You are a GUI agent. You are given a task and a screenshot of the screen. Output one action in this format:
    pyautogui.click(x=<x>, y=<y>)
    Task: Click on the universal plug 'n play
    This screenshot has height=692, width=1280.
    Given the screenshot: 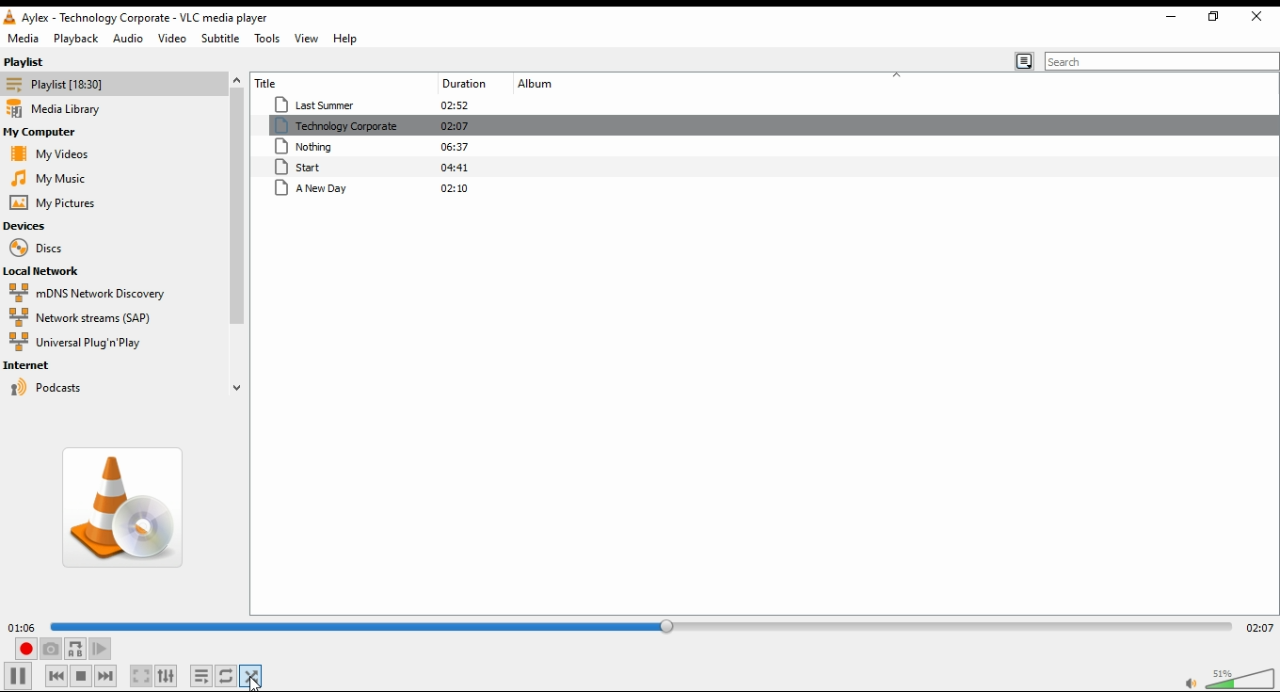 What is the action you would take?
    pyautogui.click(x=91, y=341)
    